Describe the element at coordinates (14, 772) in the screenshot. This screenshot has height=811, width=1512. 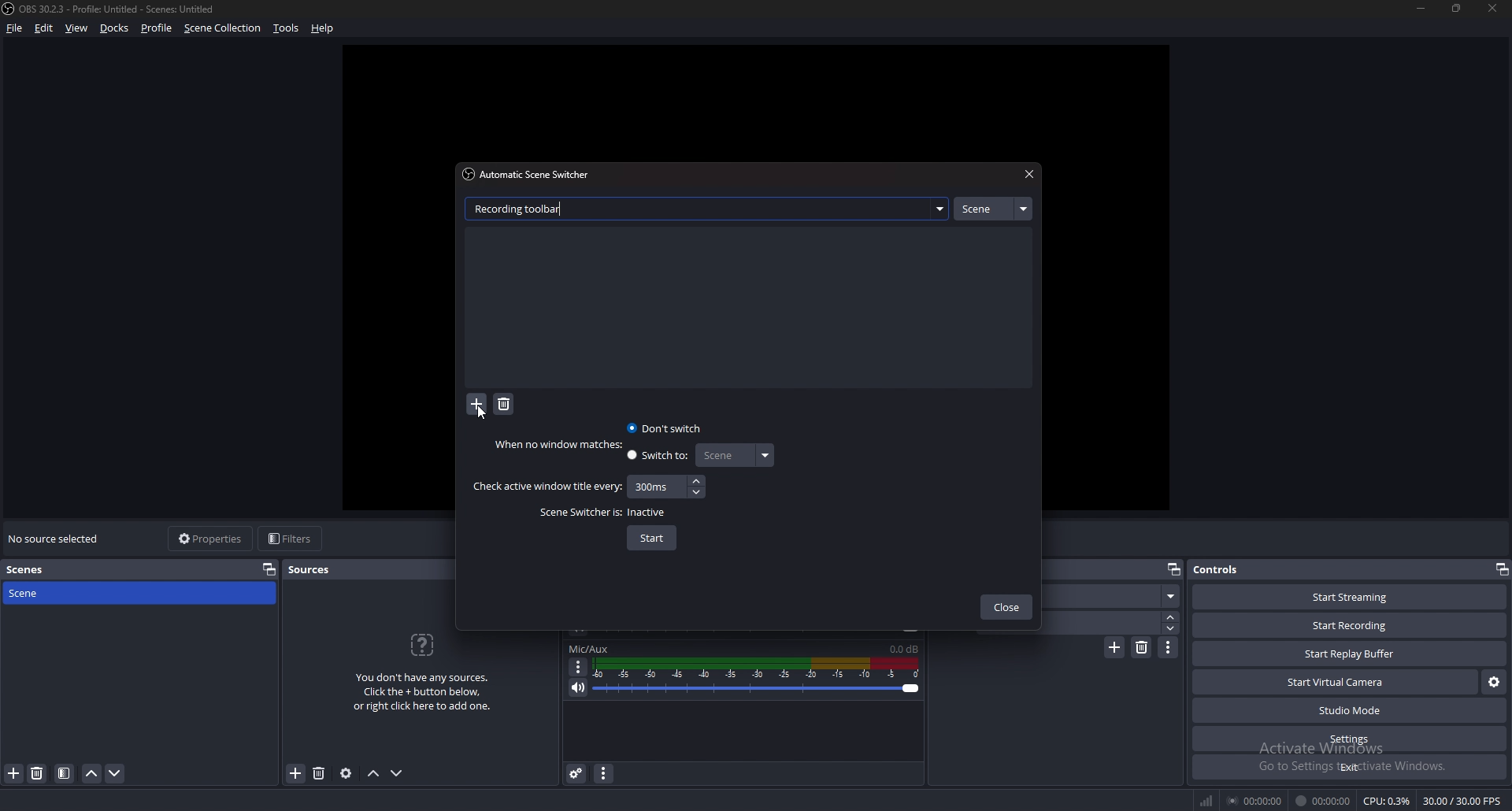
I see `add scene` at that location.